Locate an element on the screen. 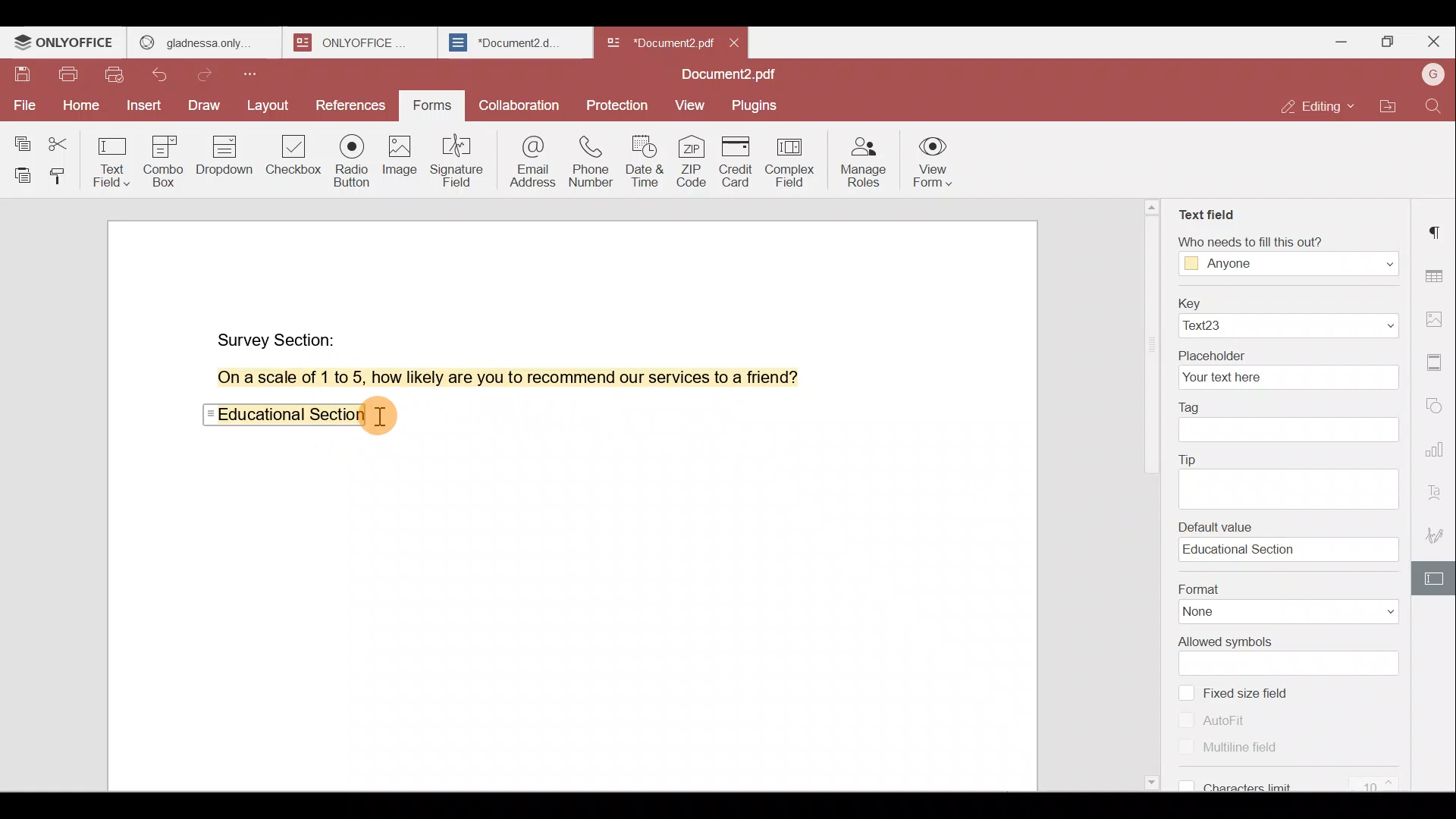 The height and width of the screenshot is (819, 1456). Find is located at coordinates (1436, 106).